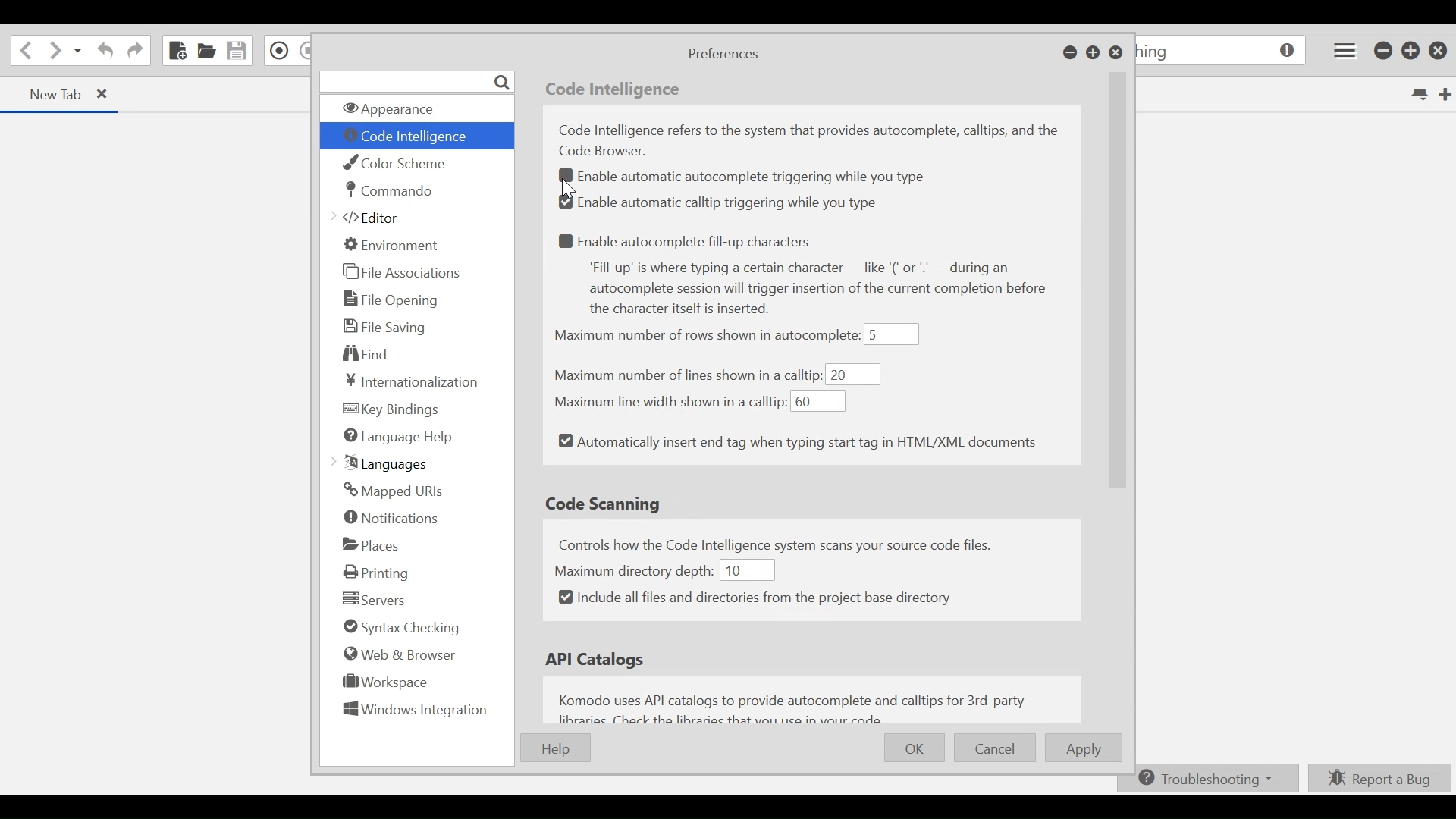 This screenshot has width=1456, height=819. What do you see at coordinates (798, 707) in the screenshot?
I see `Komodo uses API catalogs to provide autocomplete and calltips for 3rd-party libraries. check the libraries that you use in your code.` at bounding box center [798, 707].